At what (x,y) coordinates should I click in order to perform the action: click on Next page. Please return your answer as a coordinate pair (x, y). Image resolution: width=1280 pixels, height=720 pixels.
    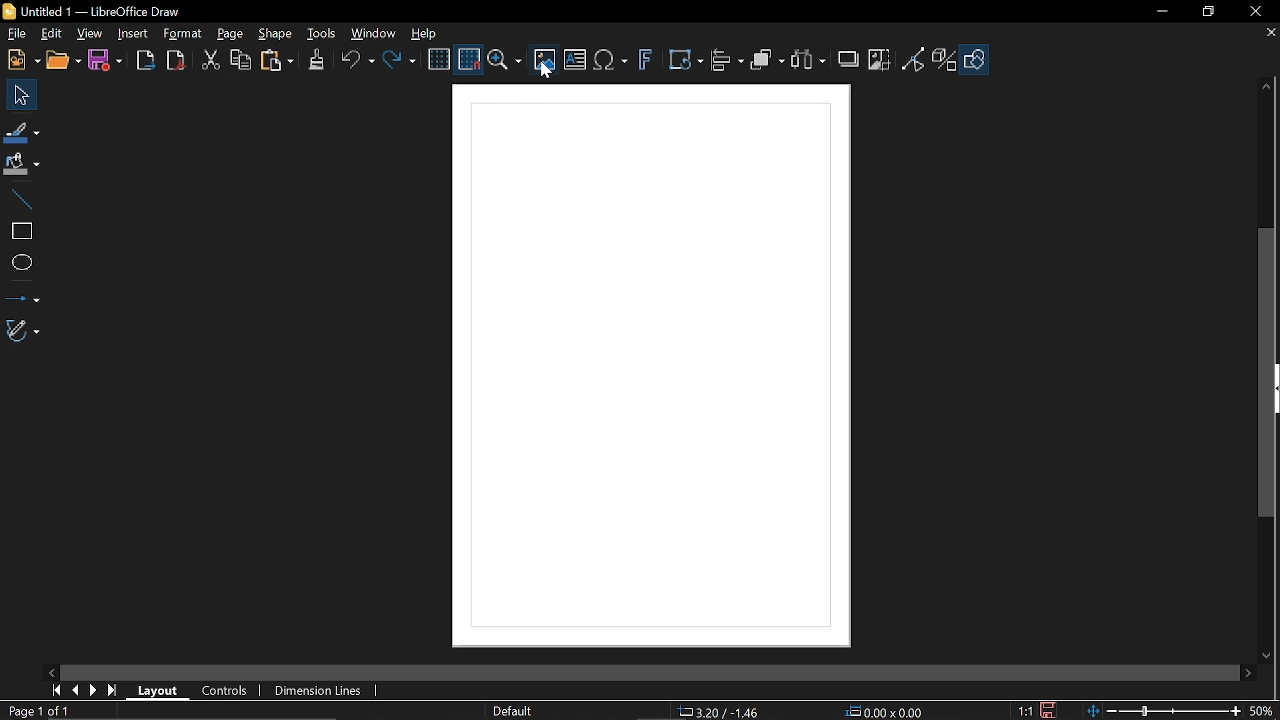
    Looking at the image, I should click on (92, 690).